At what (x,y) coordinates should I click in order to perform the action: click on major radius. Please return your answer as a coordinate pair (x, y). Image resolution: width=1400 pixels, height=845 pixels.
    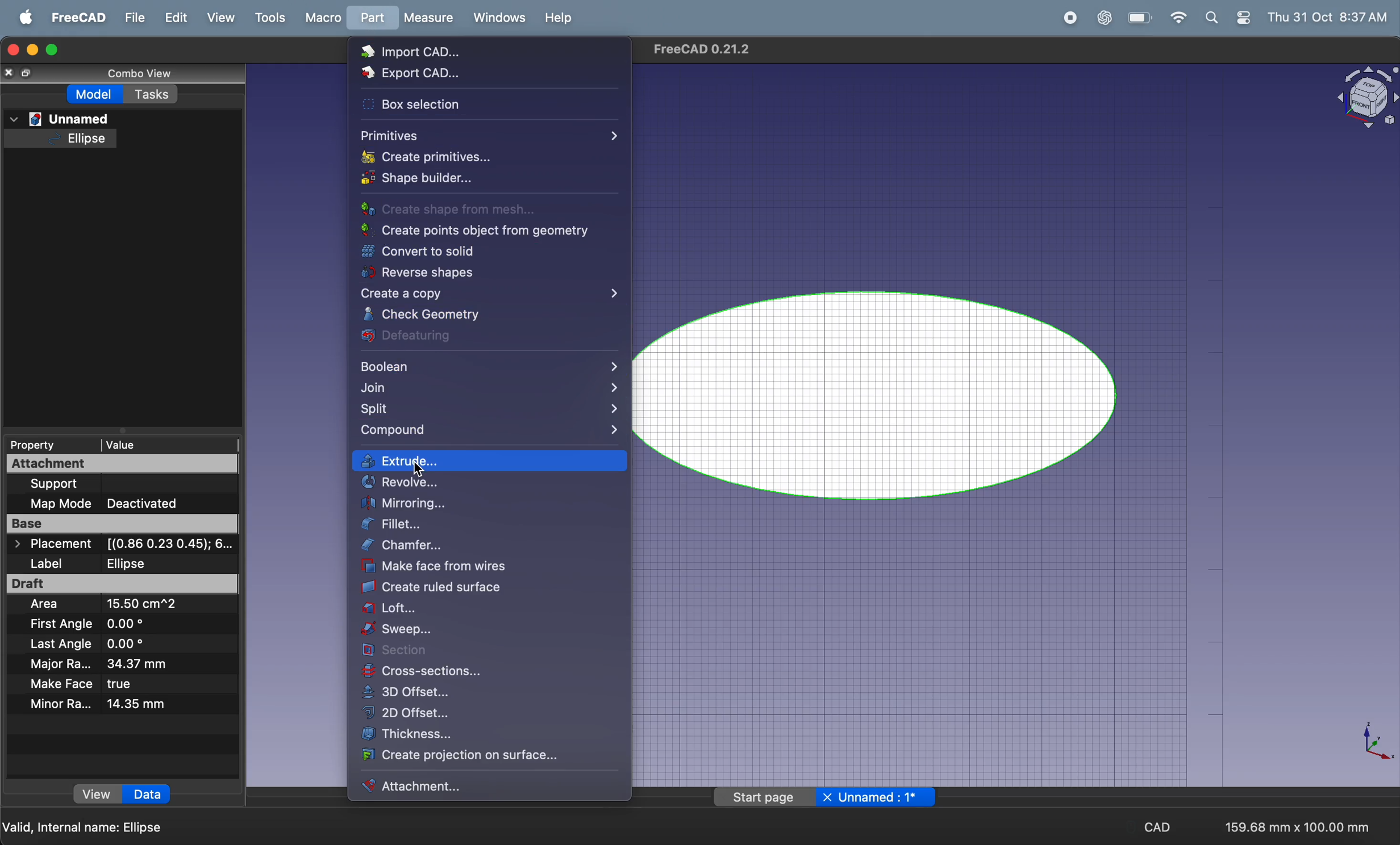
    Looking at the image, I should click on (116, 664).